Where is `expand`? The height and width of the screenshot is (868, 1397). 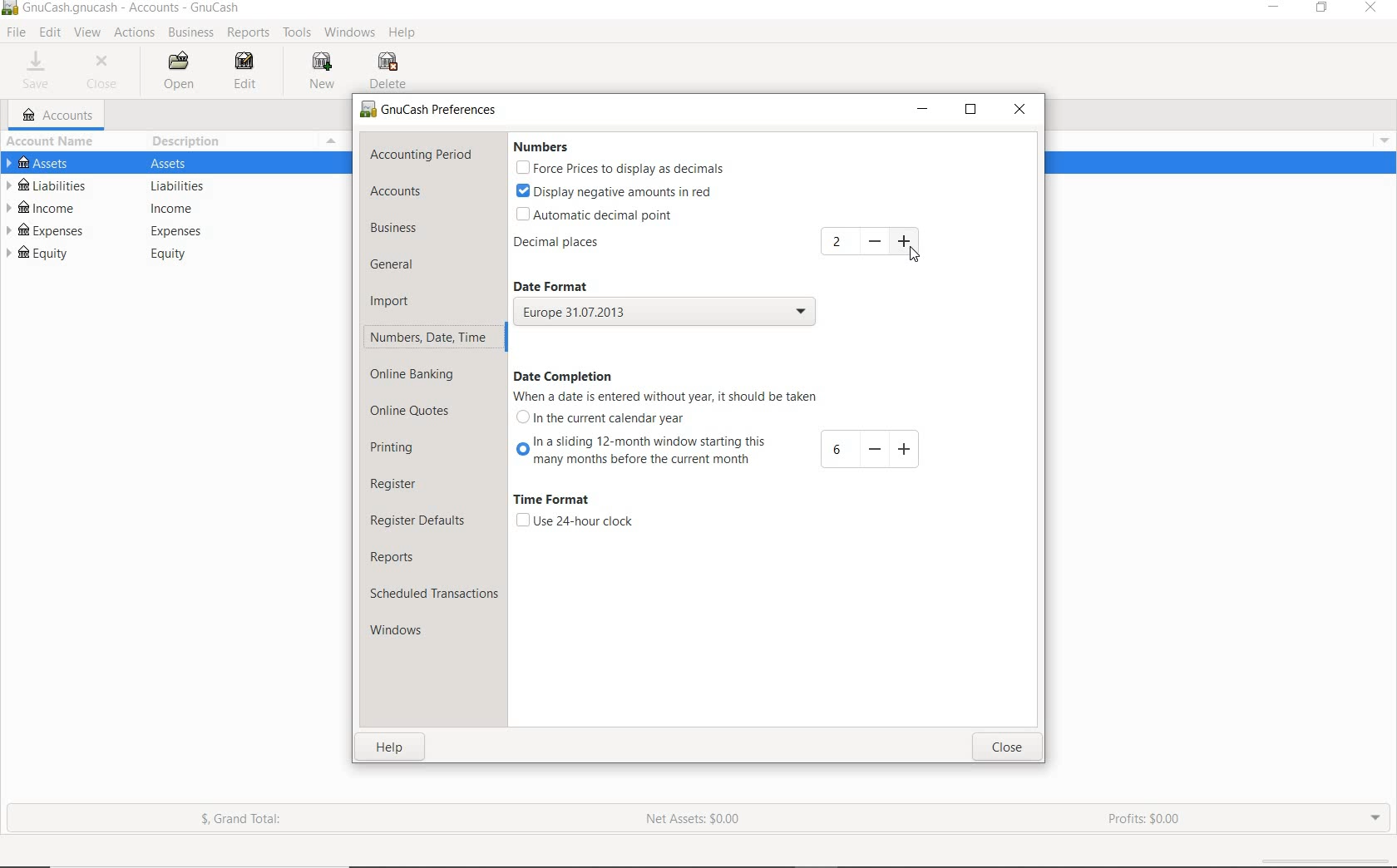 expand is located at coordinates (1382, 138).